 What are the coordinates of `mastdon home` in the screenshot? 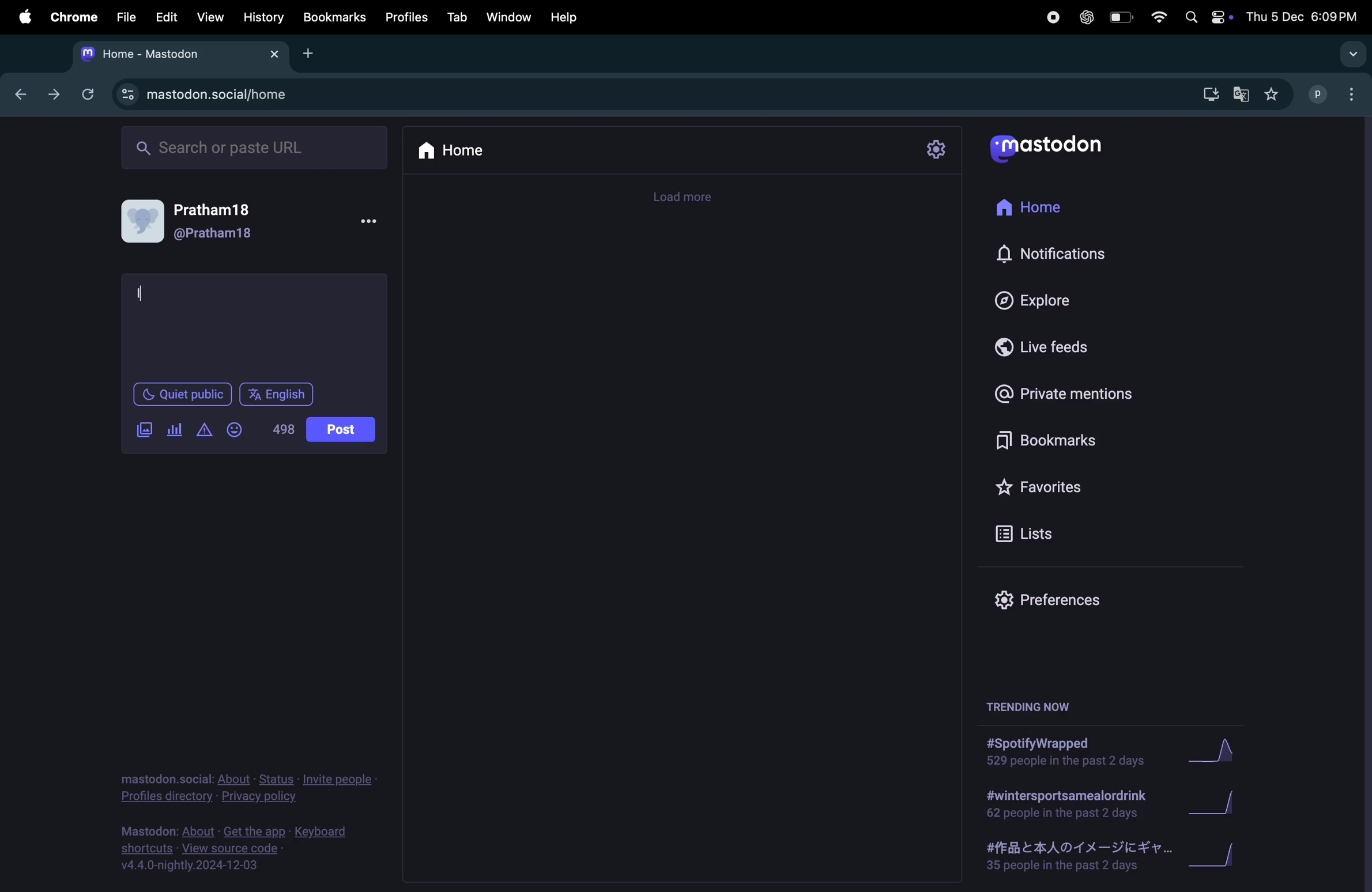 It's located at (177, 54).